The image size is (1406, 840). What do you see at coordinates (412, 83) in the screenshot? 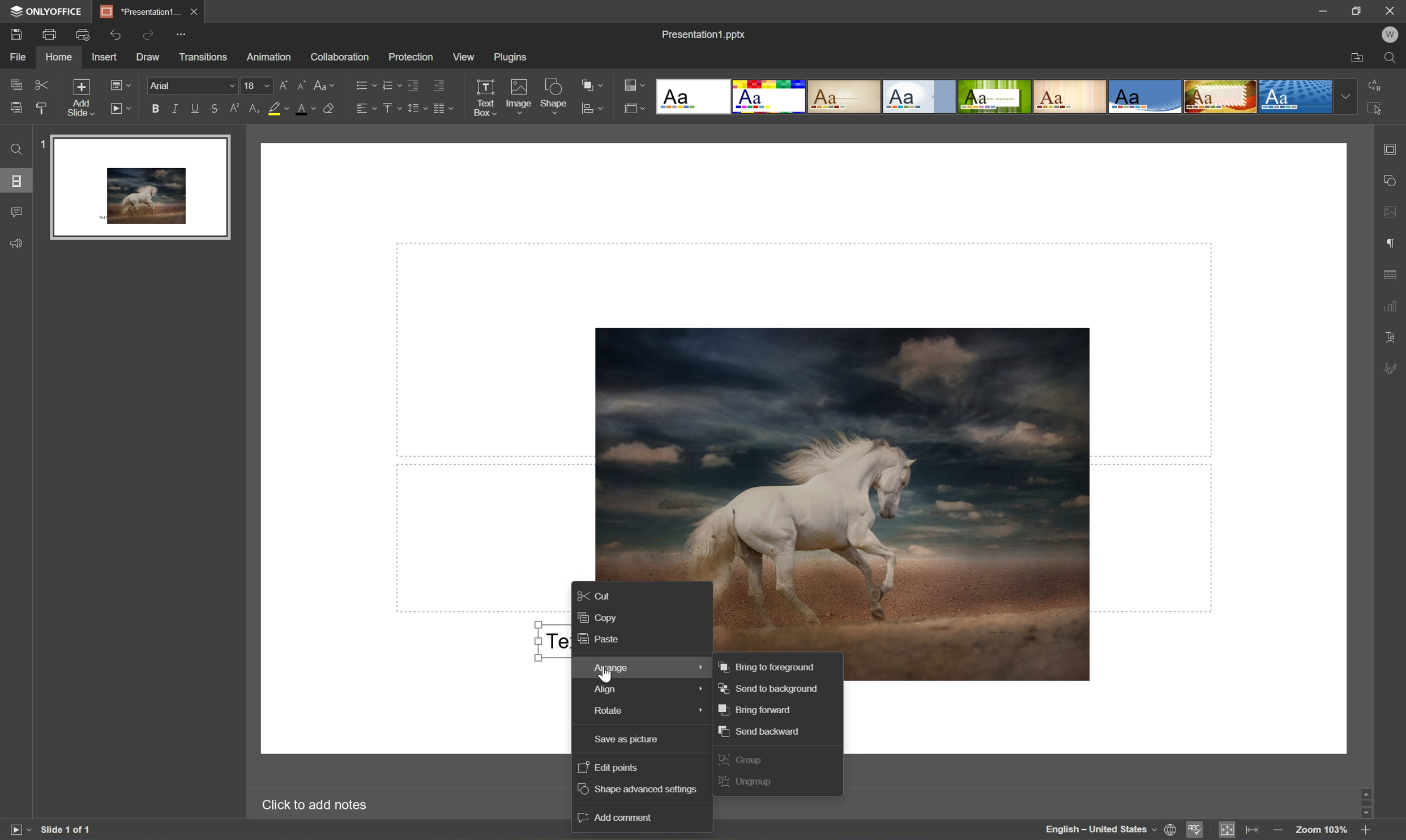
I see `Decrease indent` at bounding box center [412, 83].